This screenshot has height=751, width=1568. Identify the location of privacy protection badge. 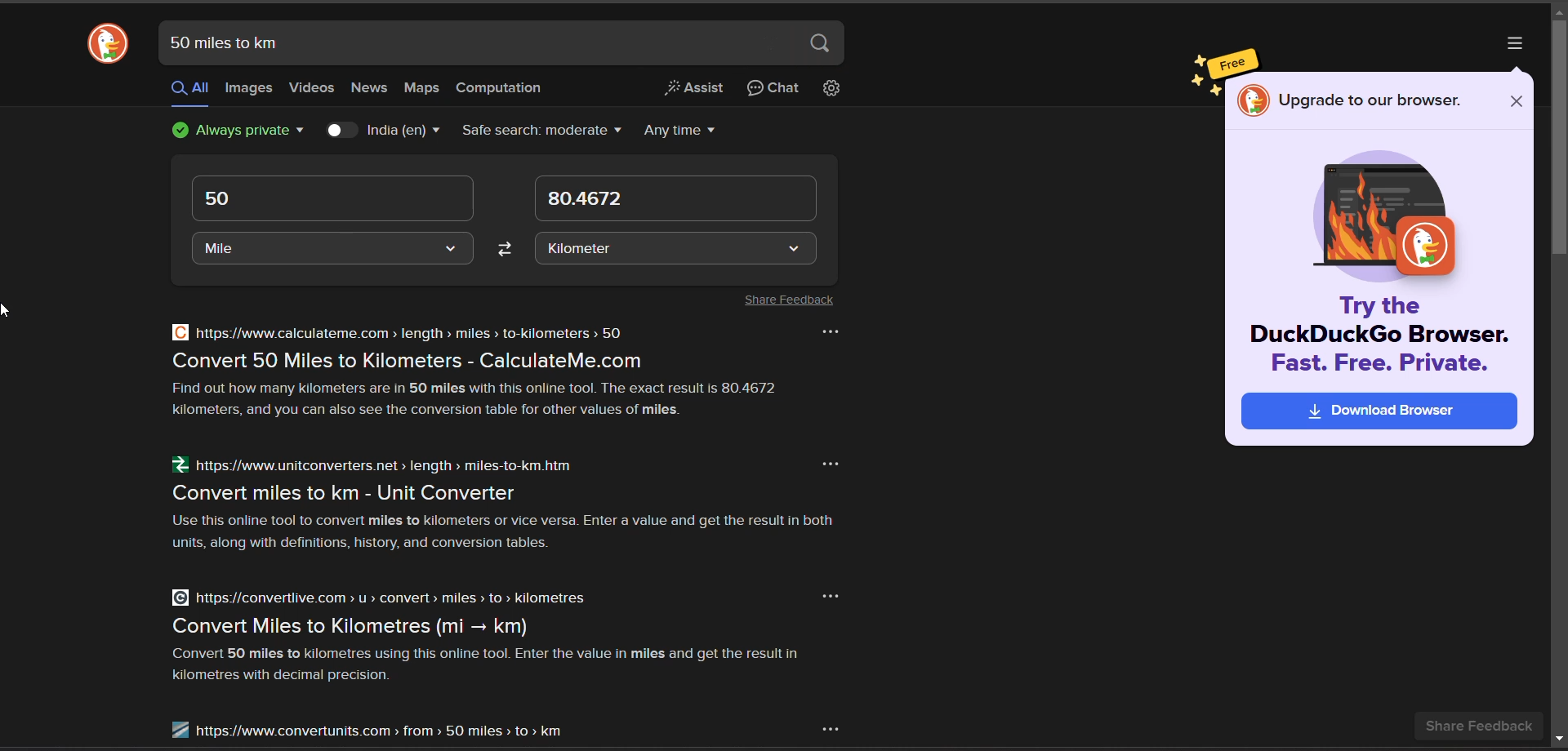
(241, 131).